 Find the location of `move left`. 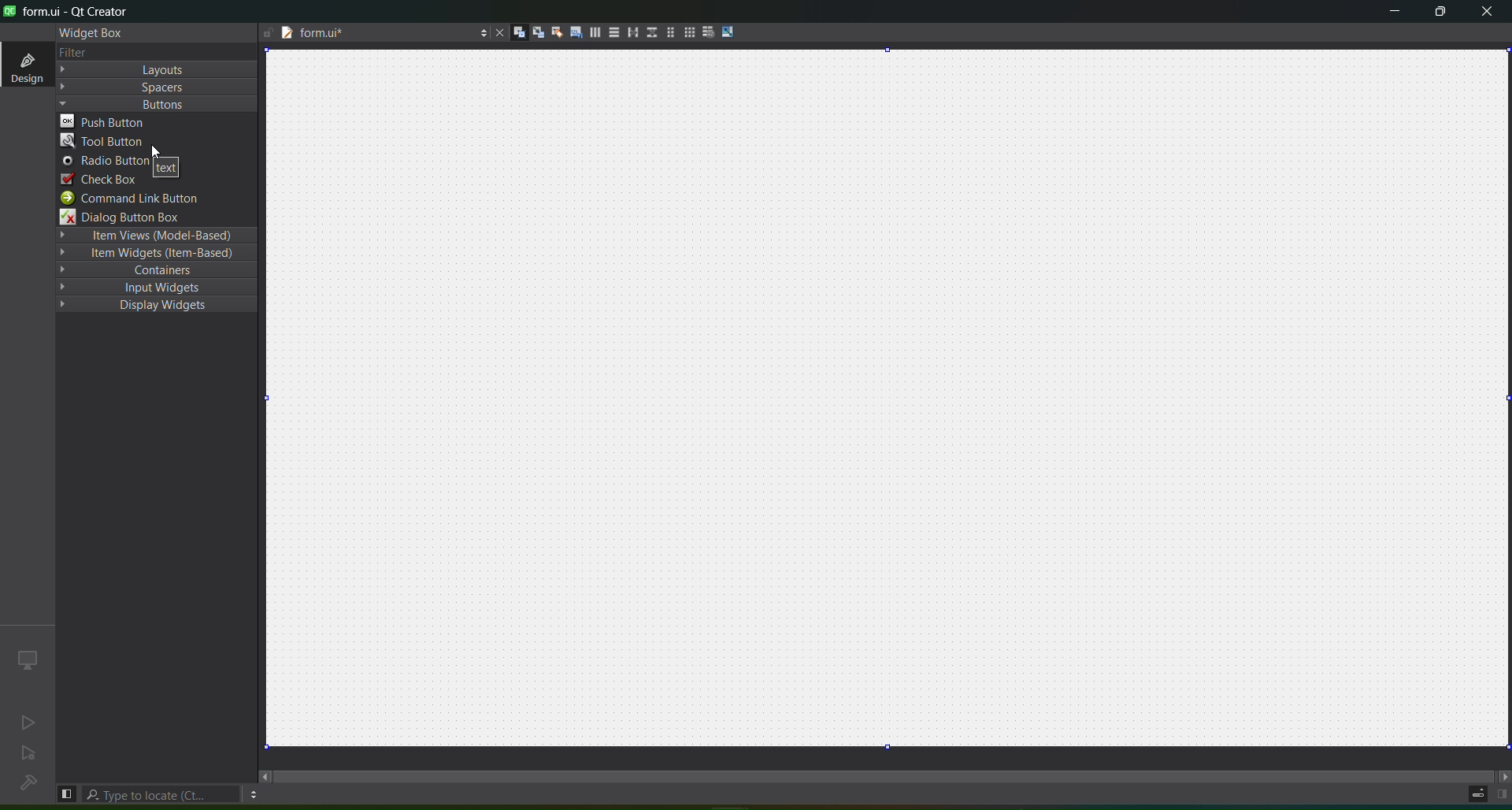

move left is located at coordinates (263, 775).